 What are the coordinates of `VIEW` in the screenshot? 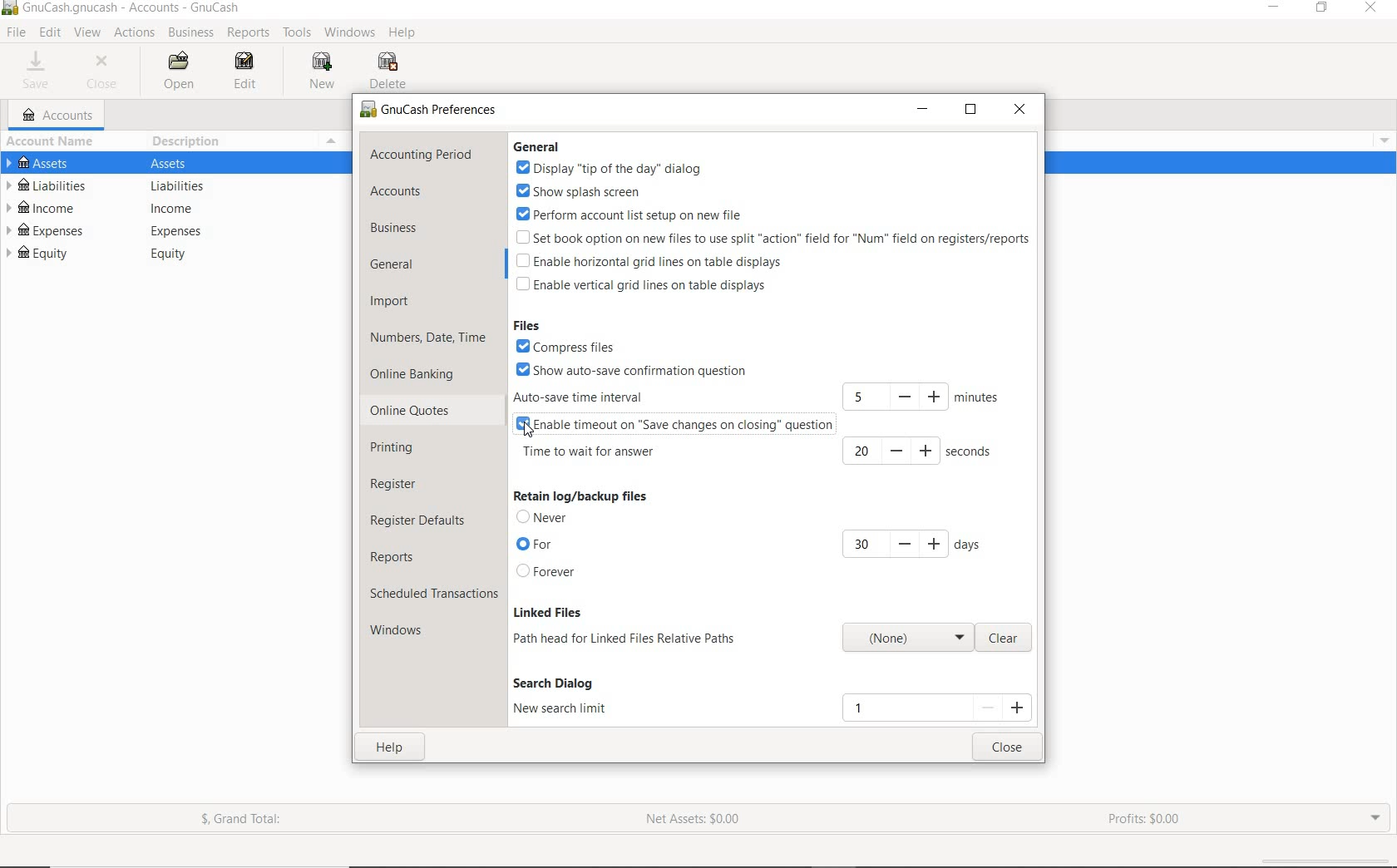 It's located at (88, 33).